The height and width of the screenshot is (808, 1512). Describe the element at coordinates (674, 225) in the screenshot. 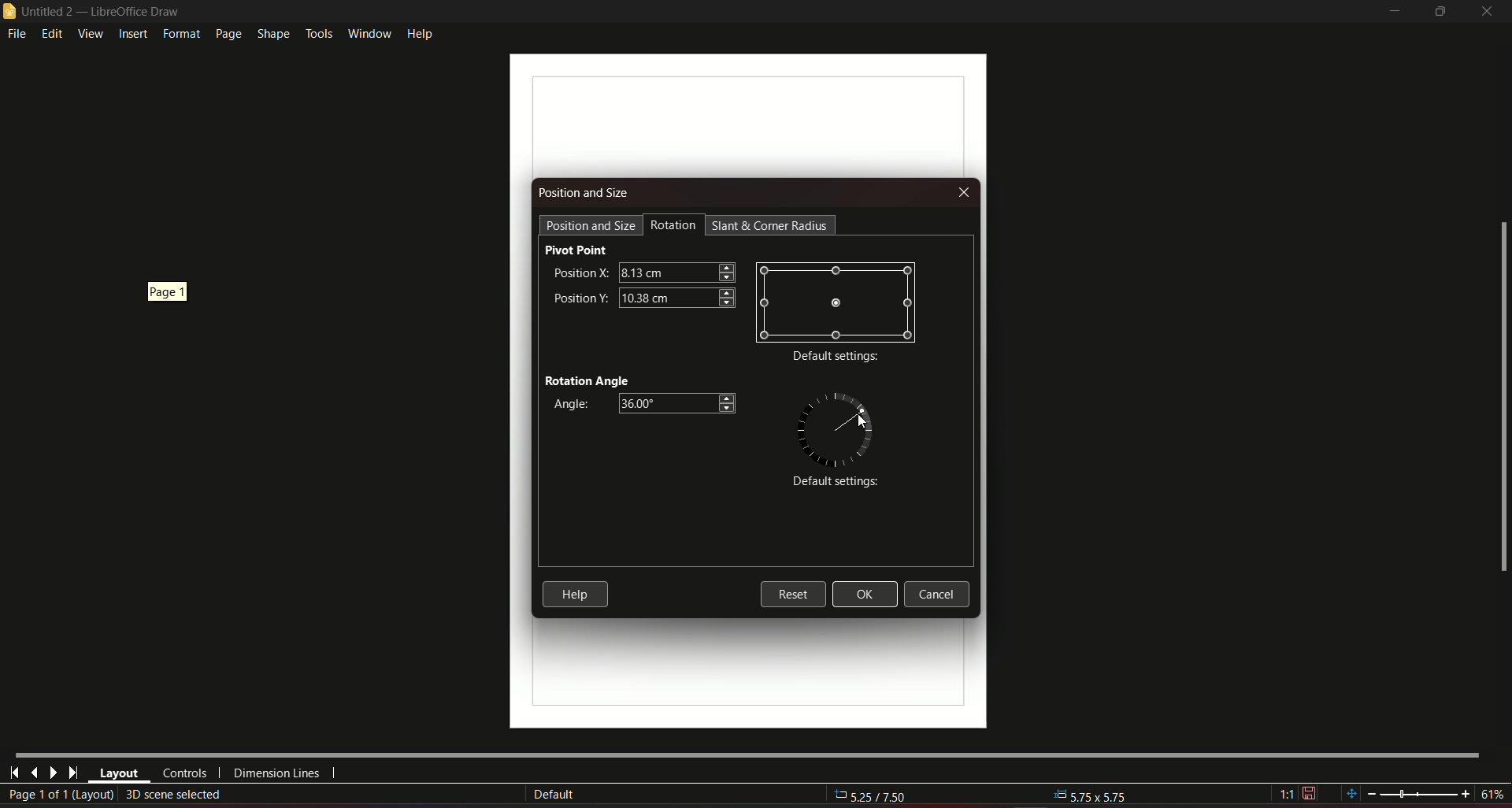

I see `Rotation` at that location.